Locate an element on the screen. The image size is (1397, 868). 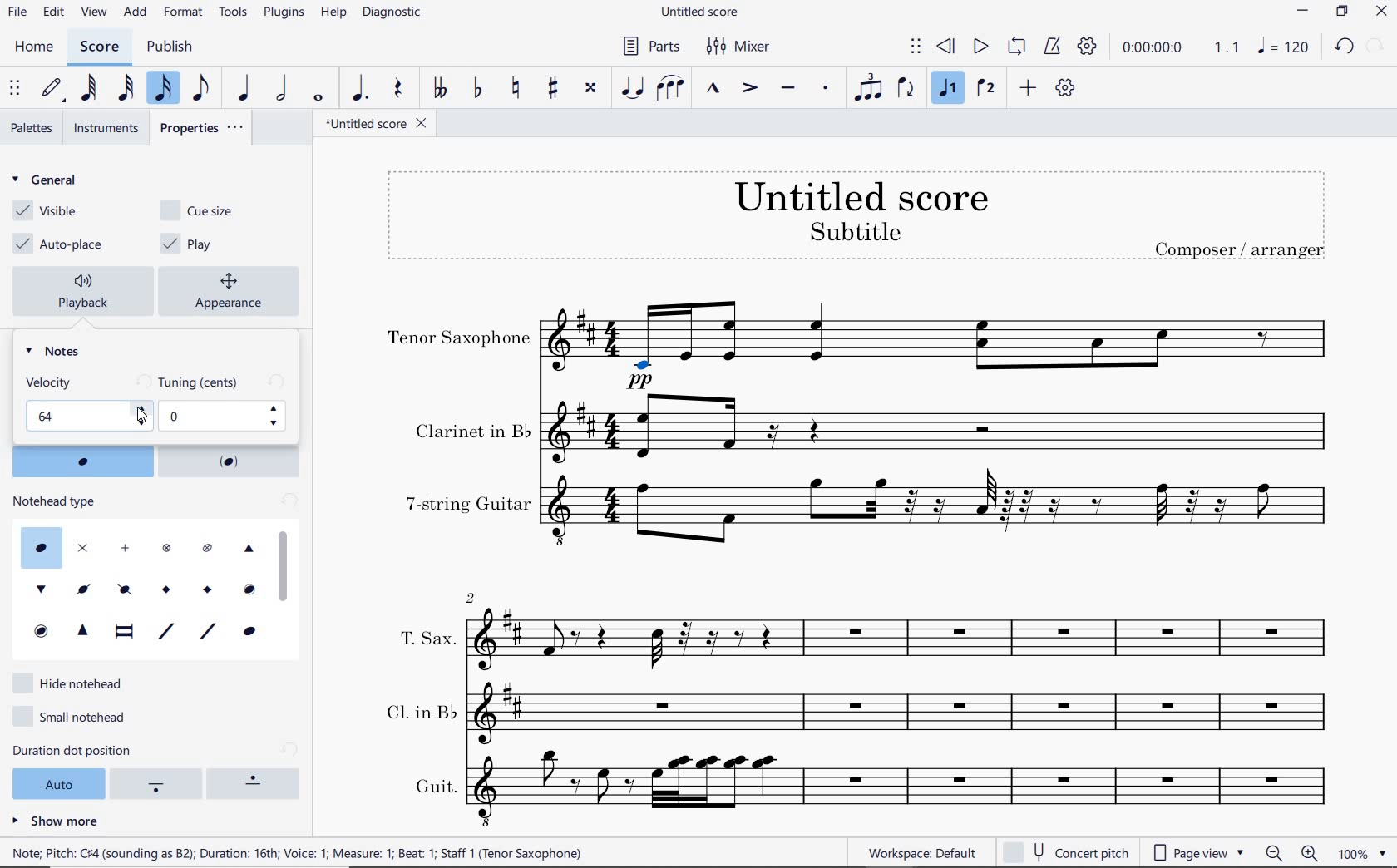
Tenor Saxophone is located at coordinates (942, 345).